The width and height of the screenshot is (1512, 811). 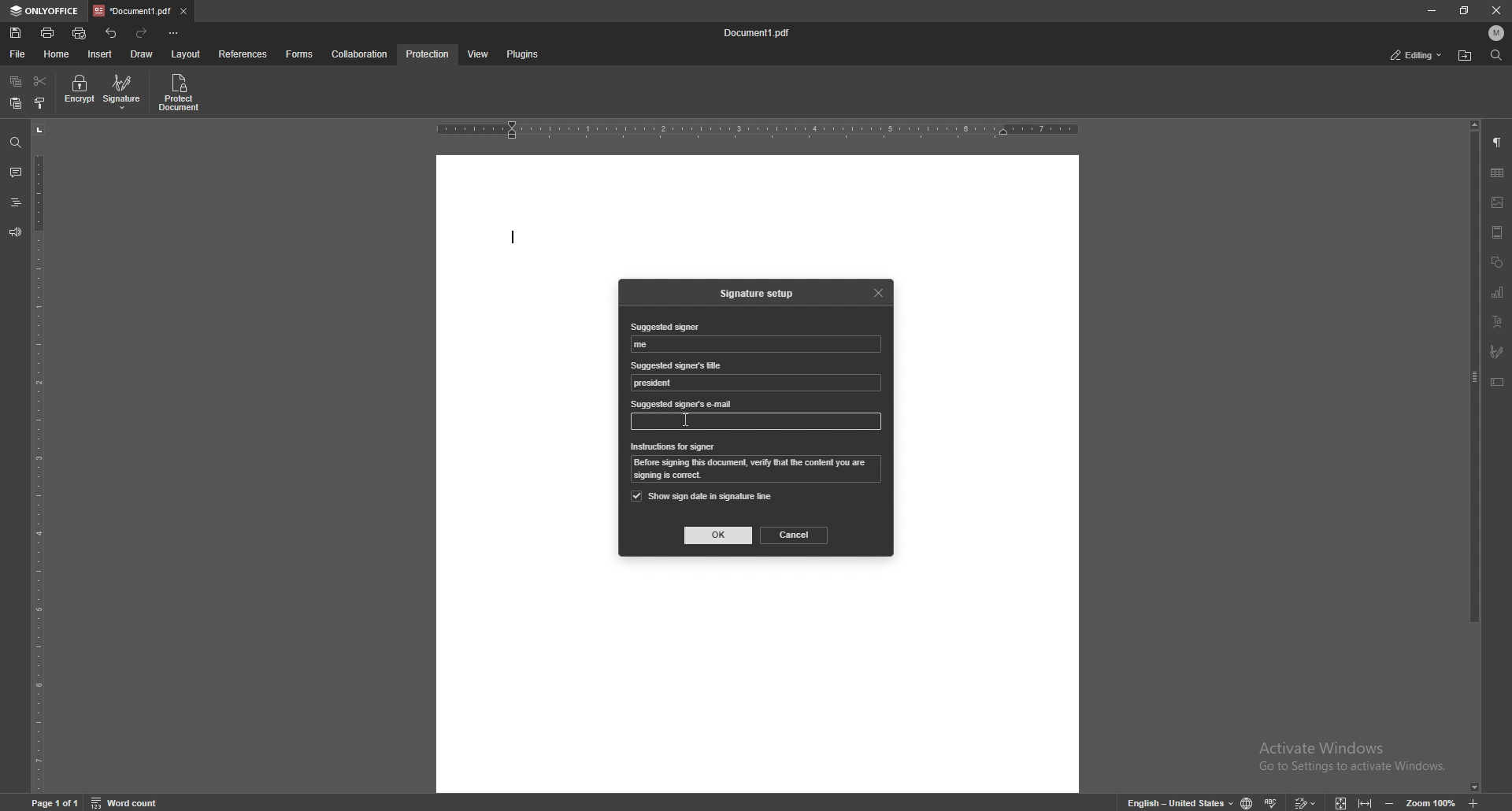 What do you see at coordinates (684, 420) in the screenshot?
I see `cursor` at bounding box center [684, 420].